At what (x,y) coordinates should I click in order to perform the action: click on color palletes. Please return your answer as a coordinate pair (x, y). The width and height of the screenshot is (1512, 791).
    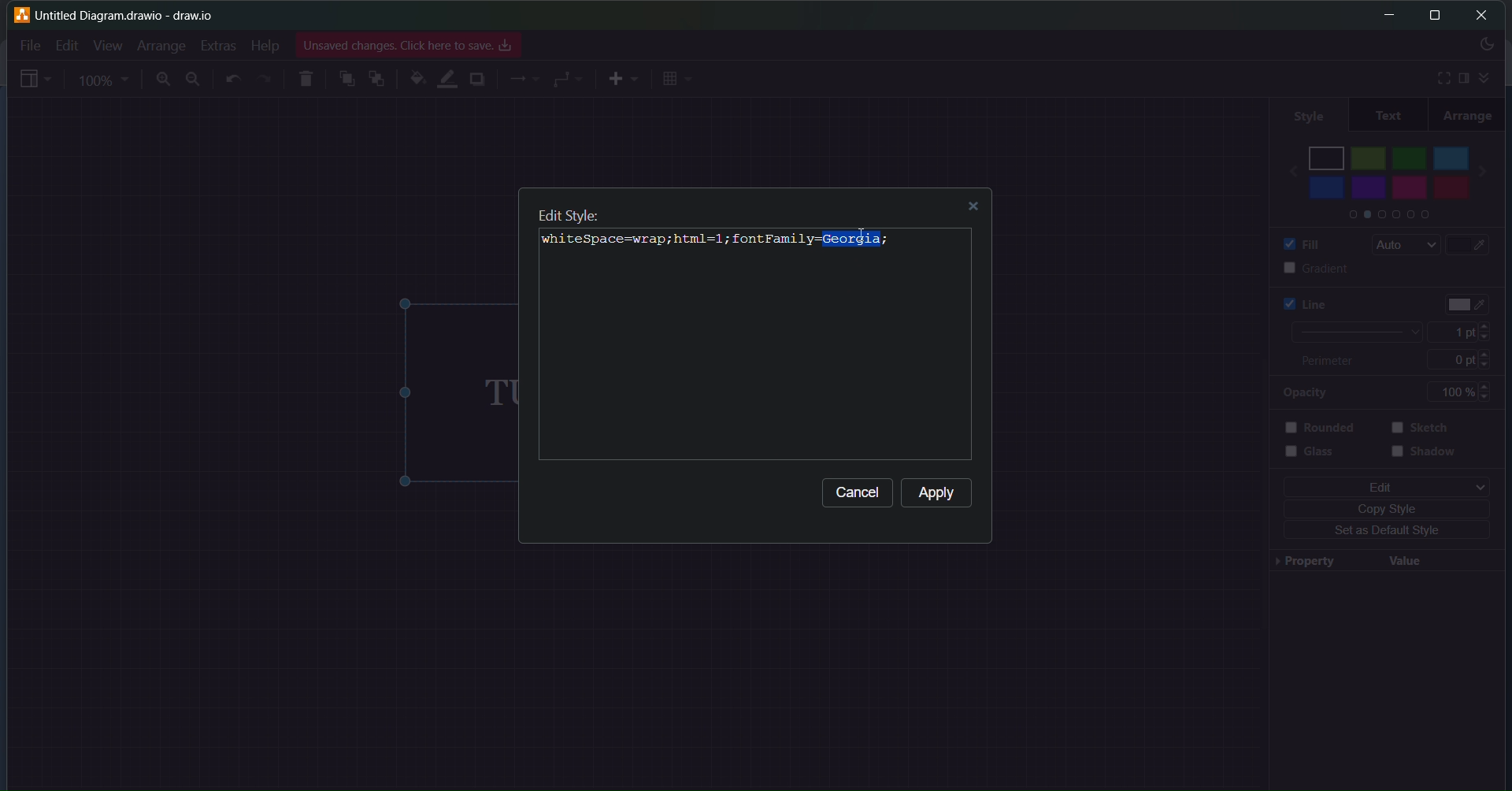
    Looking at the image, I should click on (1385, 217).